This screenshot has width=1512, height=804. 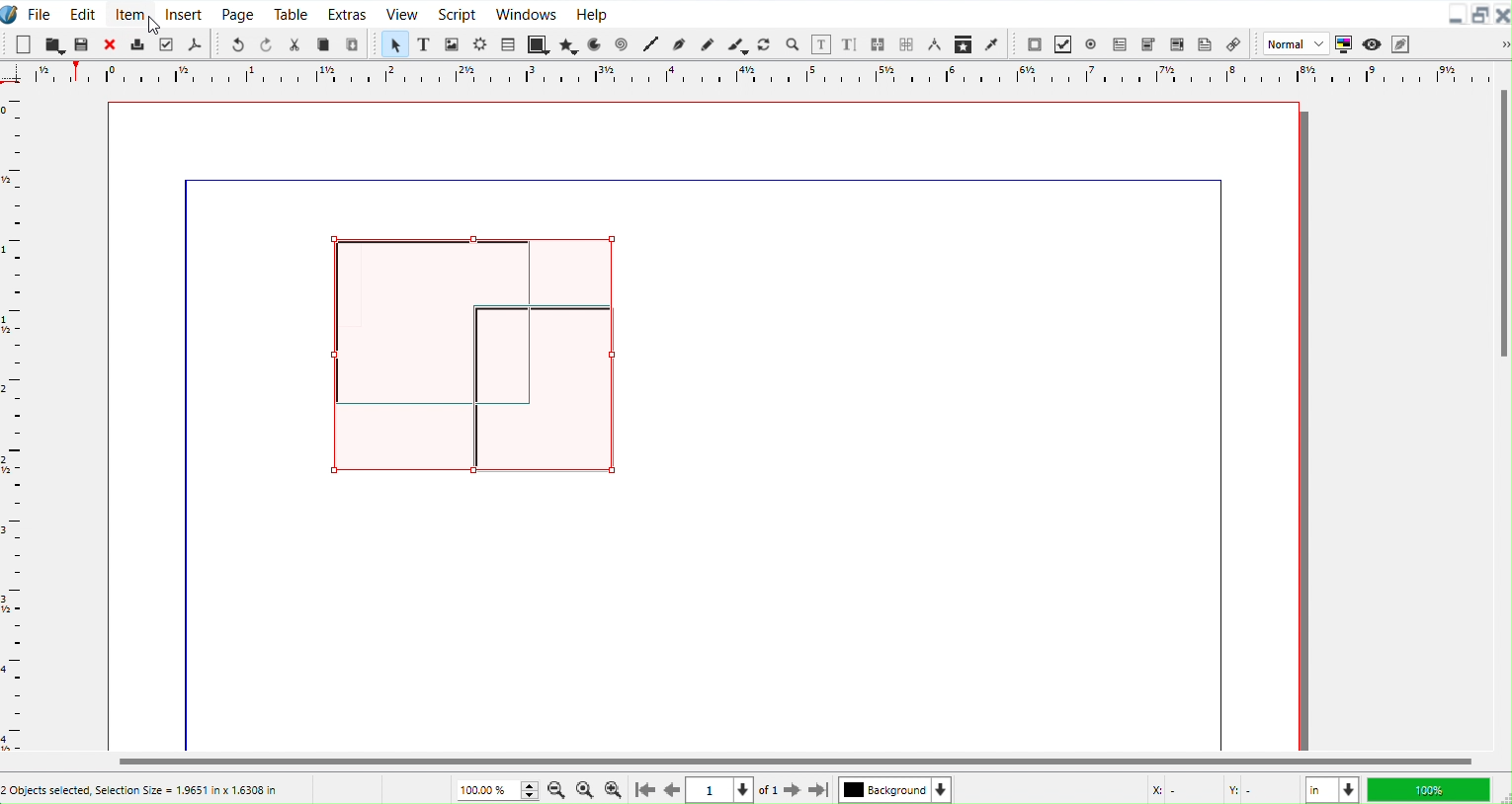 I want to click on Line, so click(x=653, y=45).